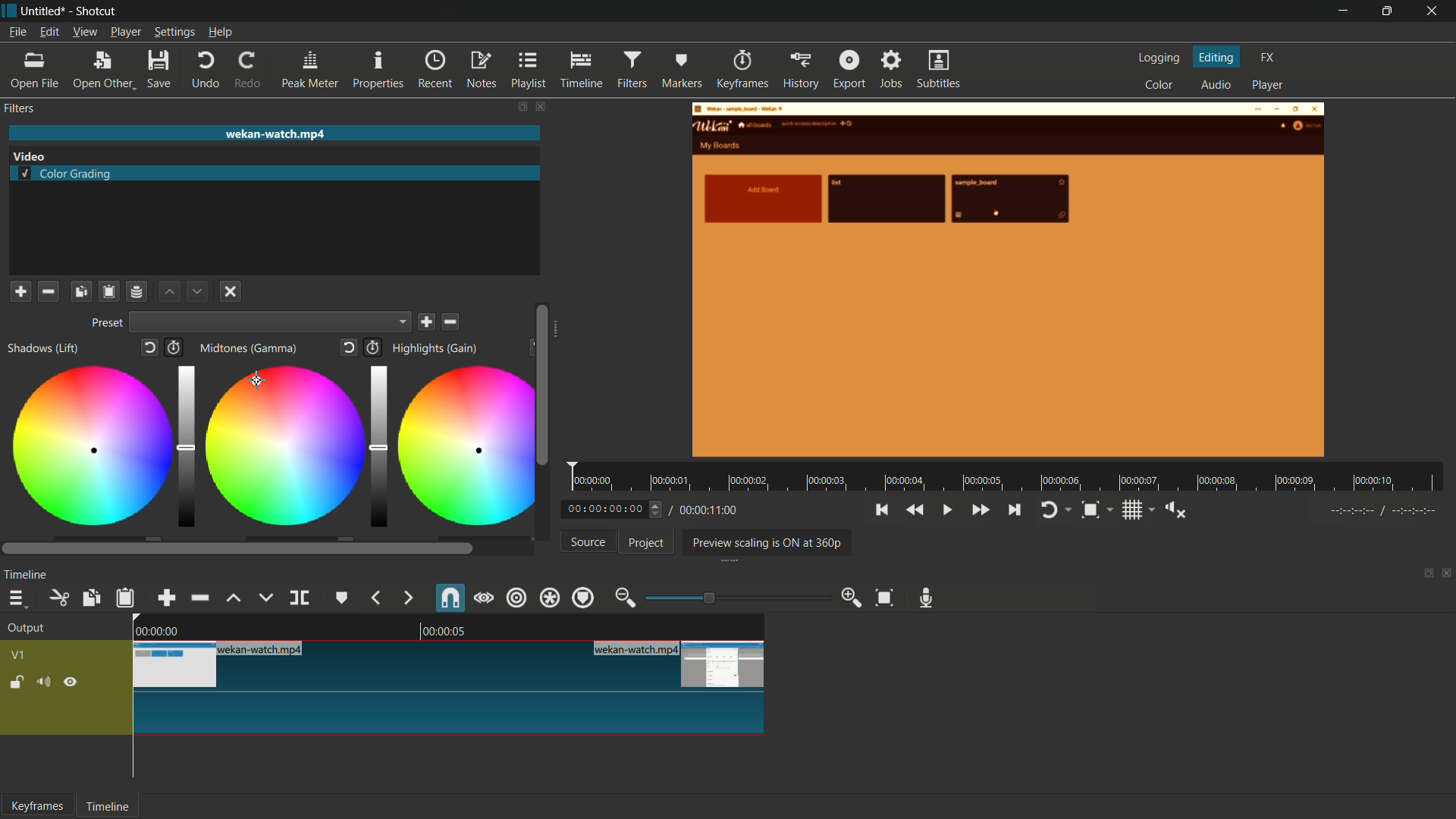 The image size is (1456, 819). I want to click on paste filters, so click(108, 293).